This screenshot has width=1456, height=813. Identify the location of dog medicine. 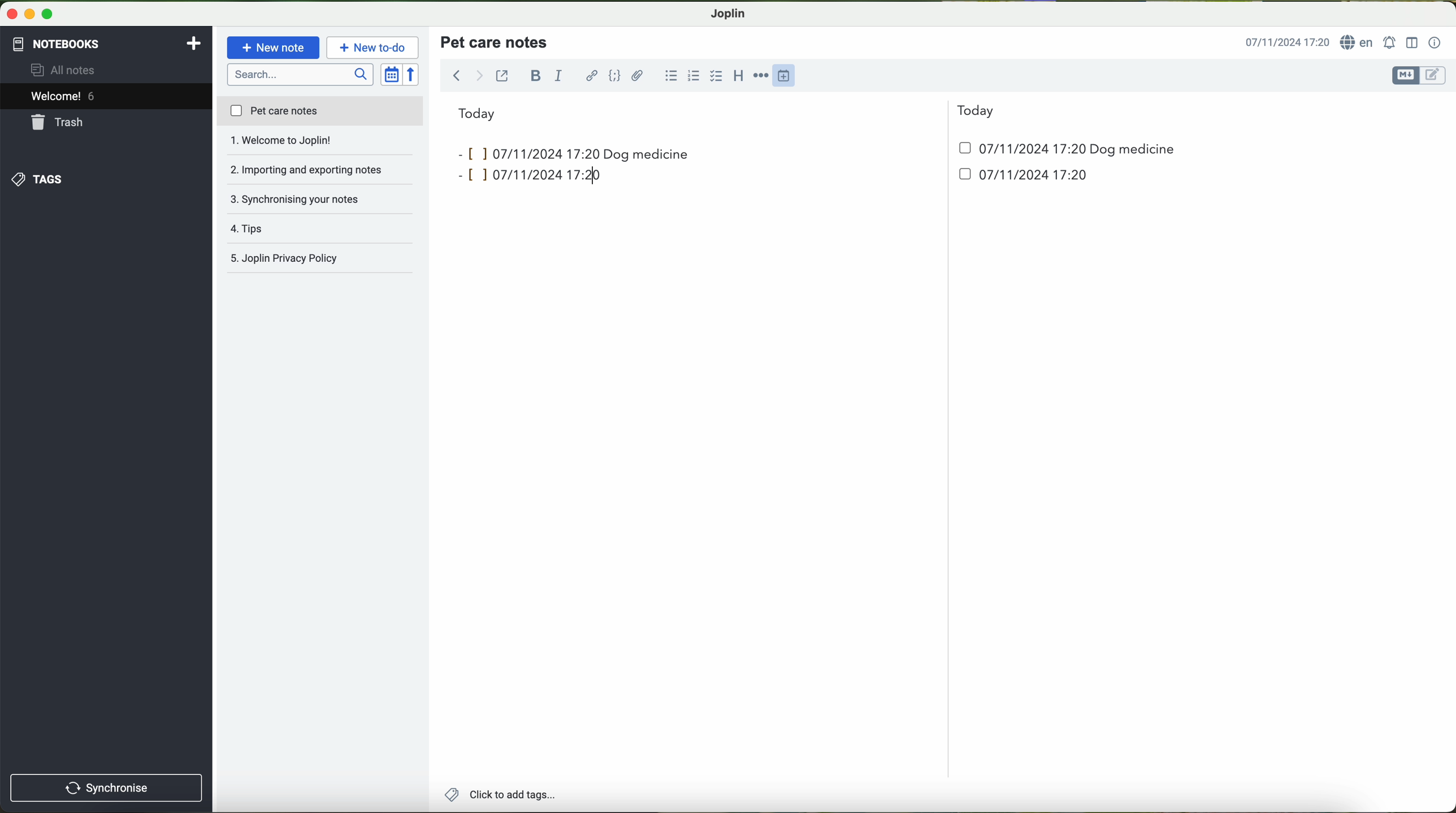
(647, 155).